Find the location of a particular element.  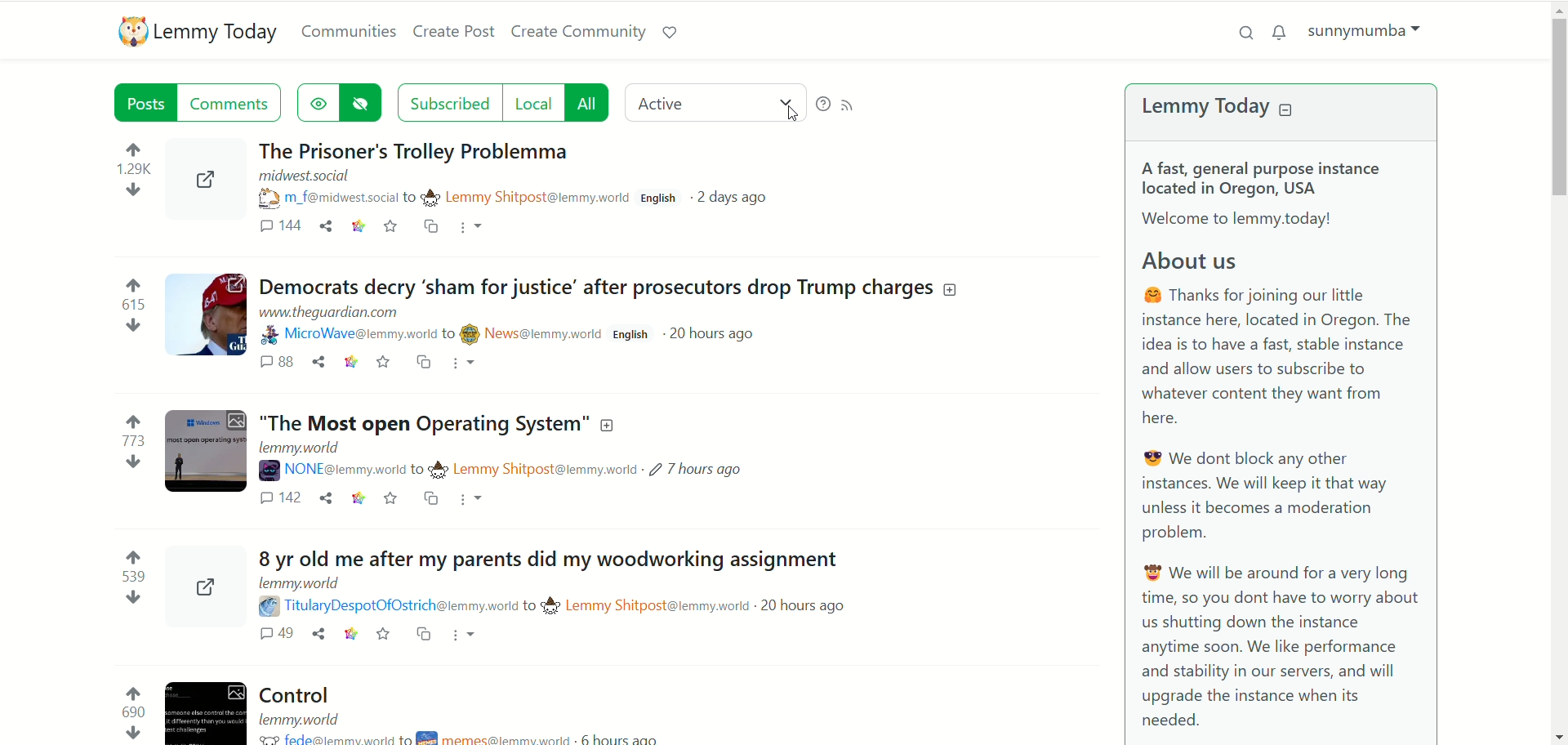

subscribed is located at coordinates (448, 102).